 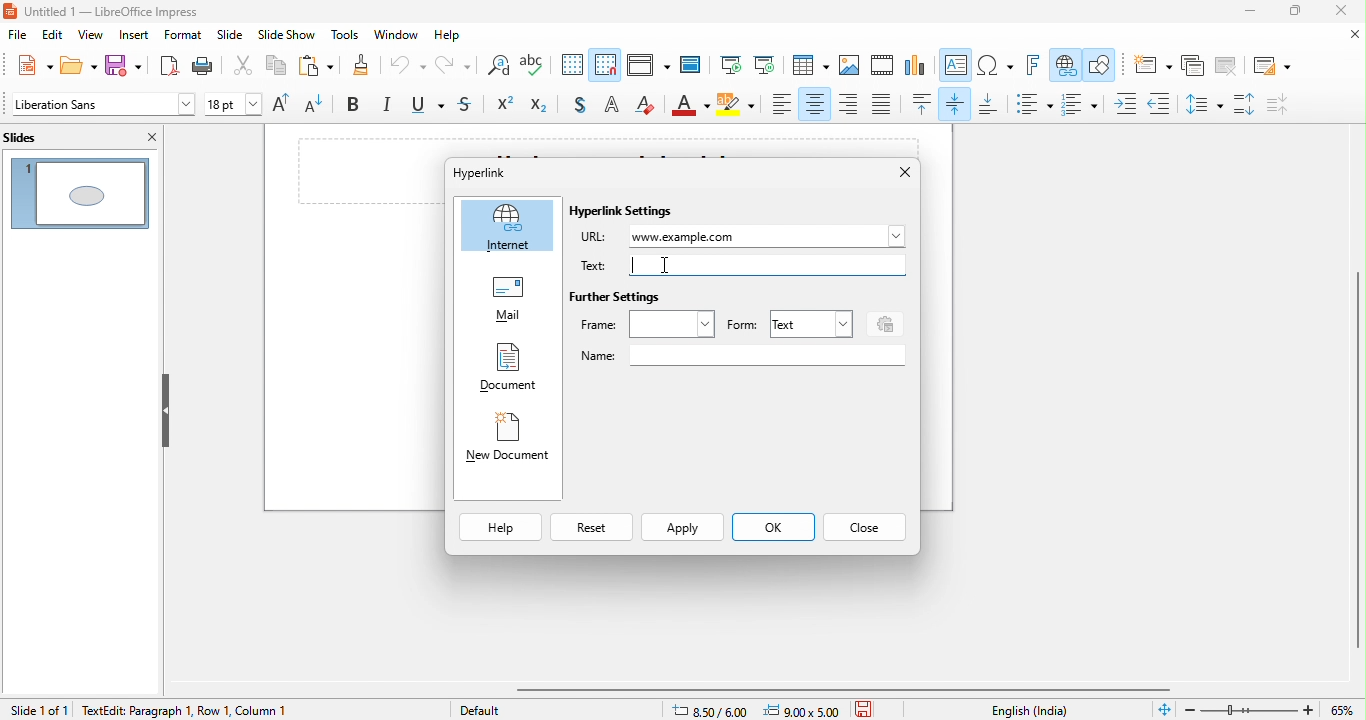 What do you see at coordinates (1273, 708) in the screenshot?
I see `zoom` at bounding box center [1273, 708].